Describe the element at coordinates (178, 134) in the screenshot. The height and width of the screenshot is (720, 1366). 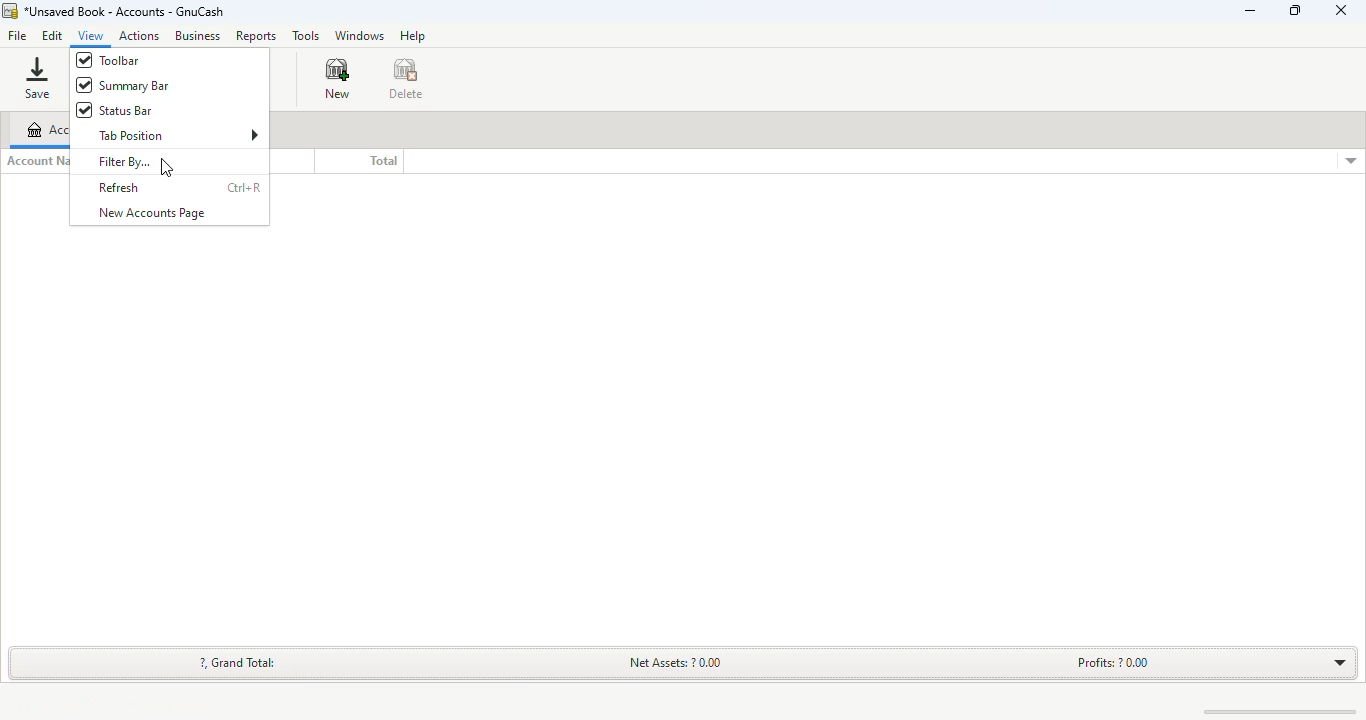
I see `tab position` at that location.